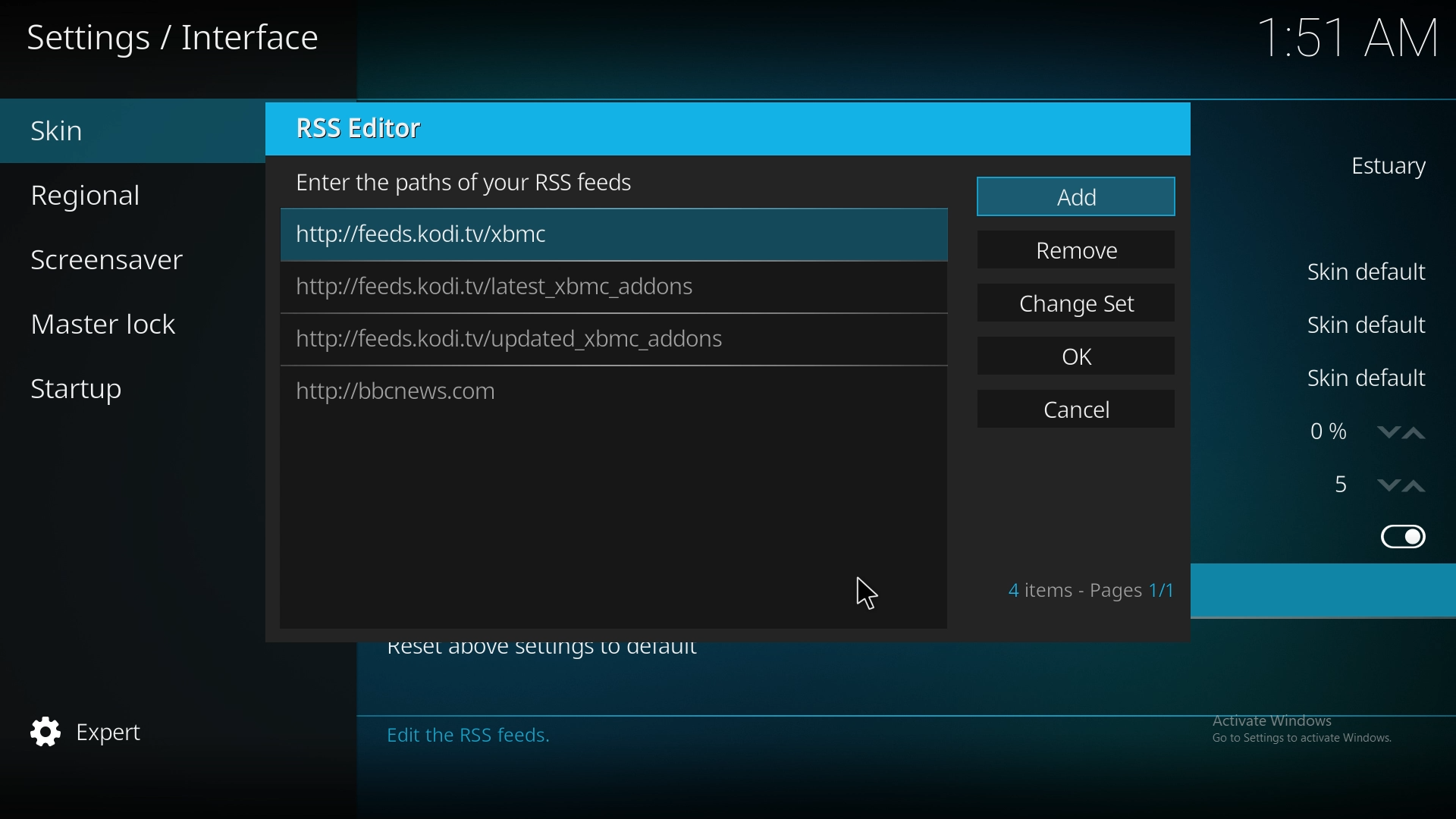 This screenshot has height=819, width=1456. What do you see at coordinates (554, 652) in the screenshot?
I see `Reset above settings to default` at bounding box center [554, 652].